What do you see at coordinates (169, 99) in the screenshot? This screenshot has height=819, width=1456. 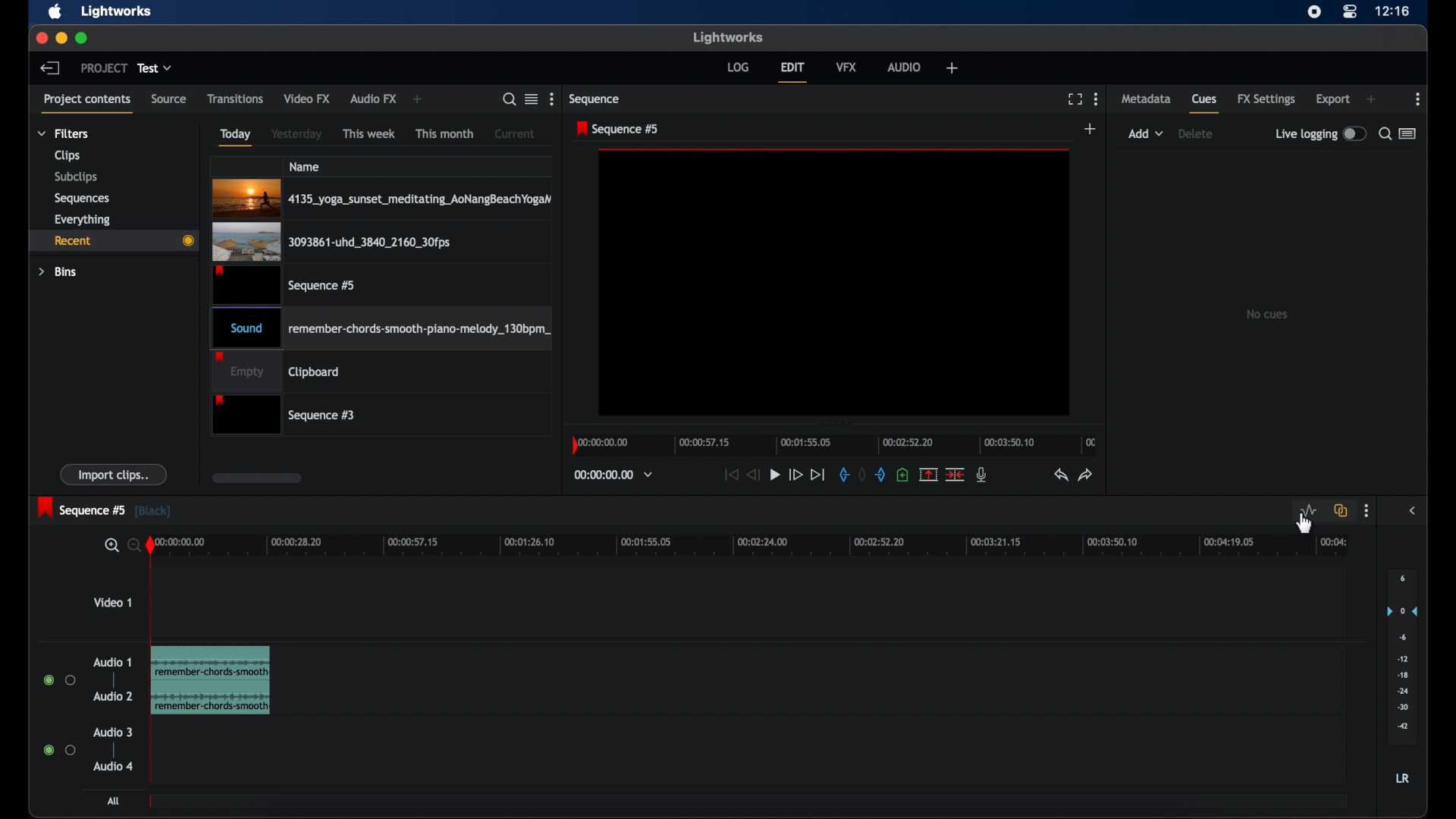 I see `source` at bounding box center [169, 99].